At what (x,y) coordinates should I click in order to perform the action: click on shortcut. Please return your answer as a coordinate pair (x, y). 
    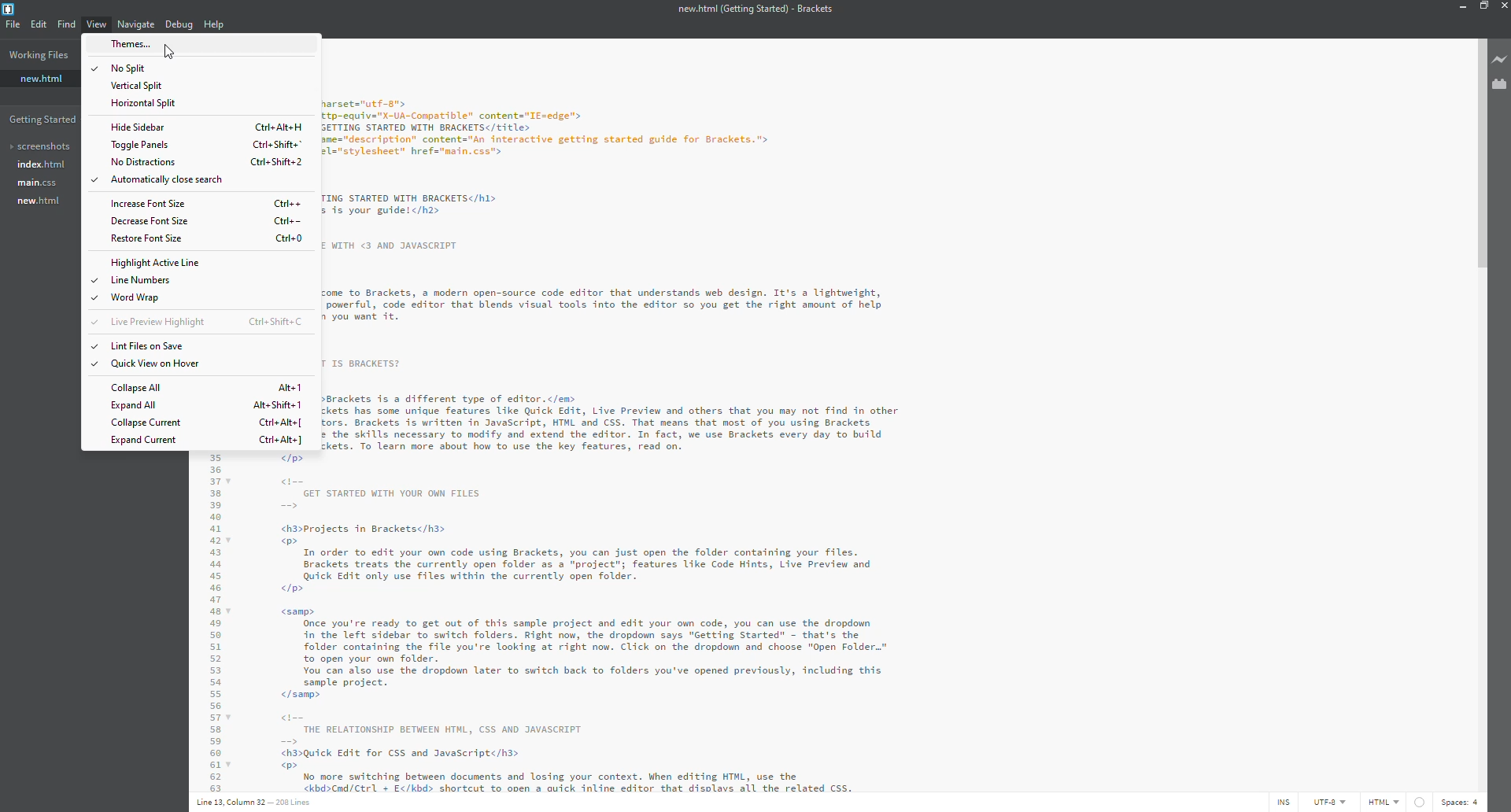
    Looking at the image, I should click on (291, 238).